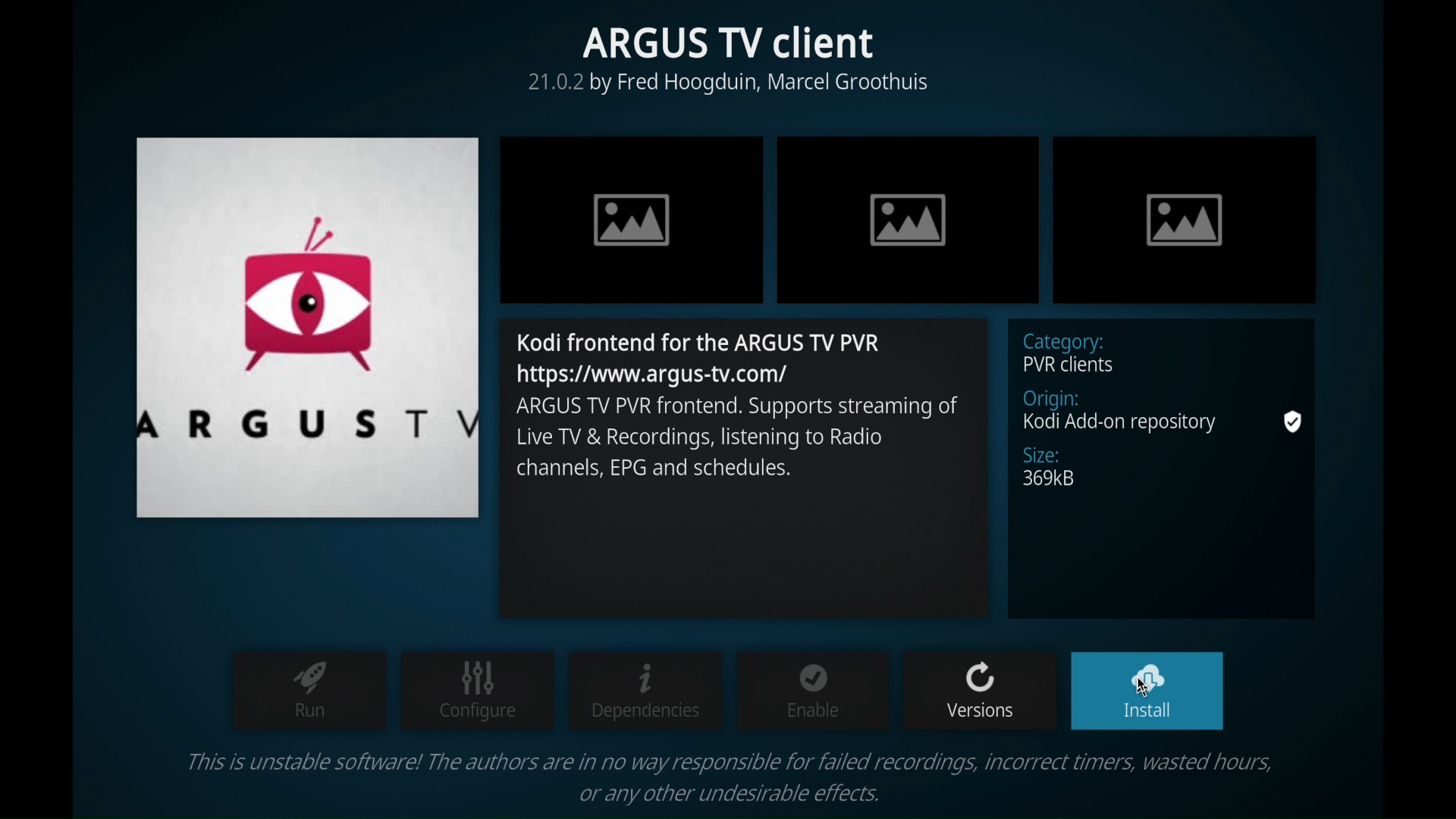 The image size is (1456, 819). I want to click on Configure, so click(479, 692).